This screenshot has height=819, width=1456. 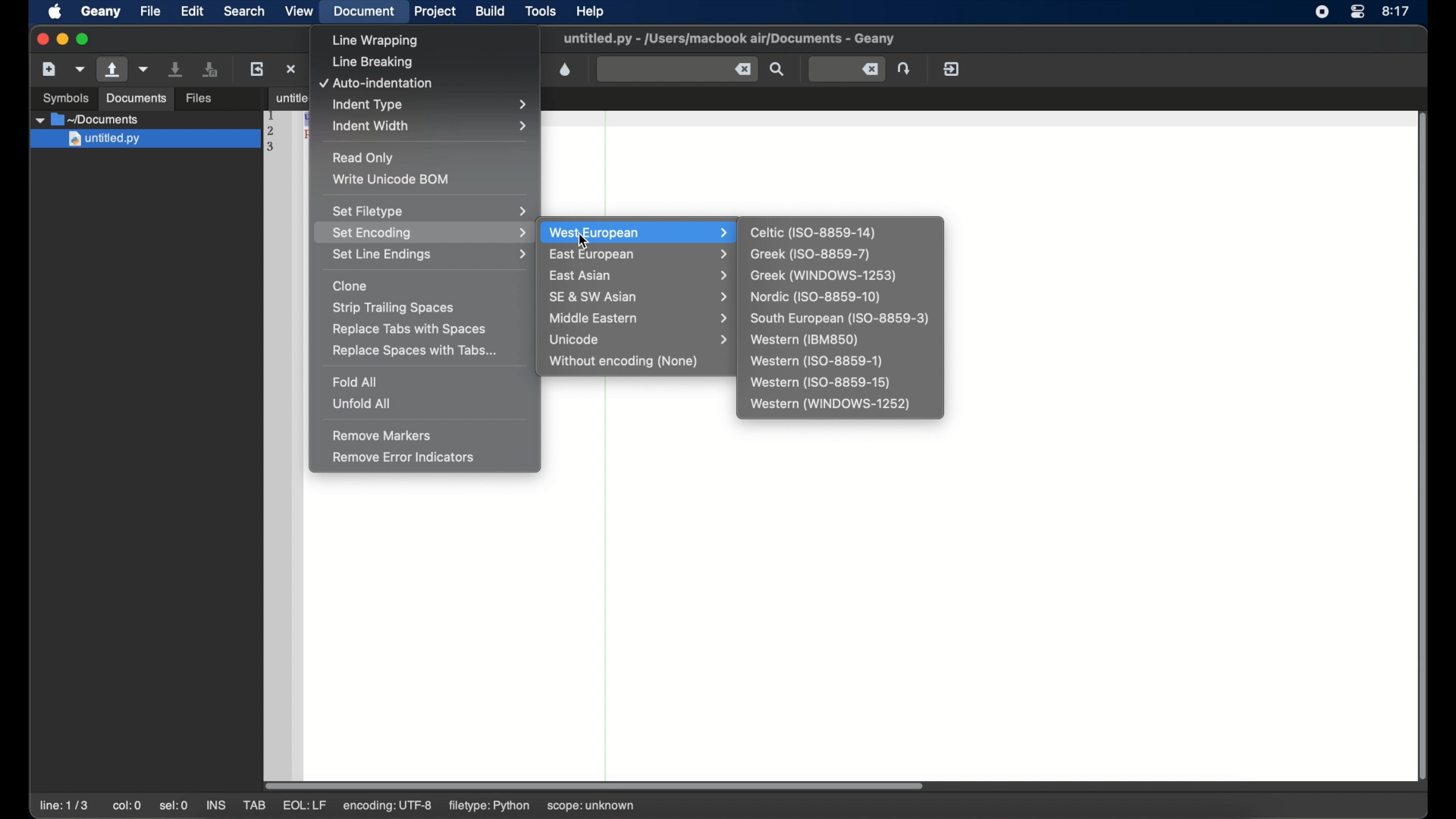 I want to click on quit geany, so click(x=952, y=68).